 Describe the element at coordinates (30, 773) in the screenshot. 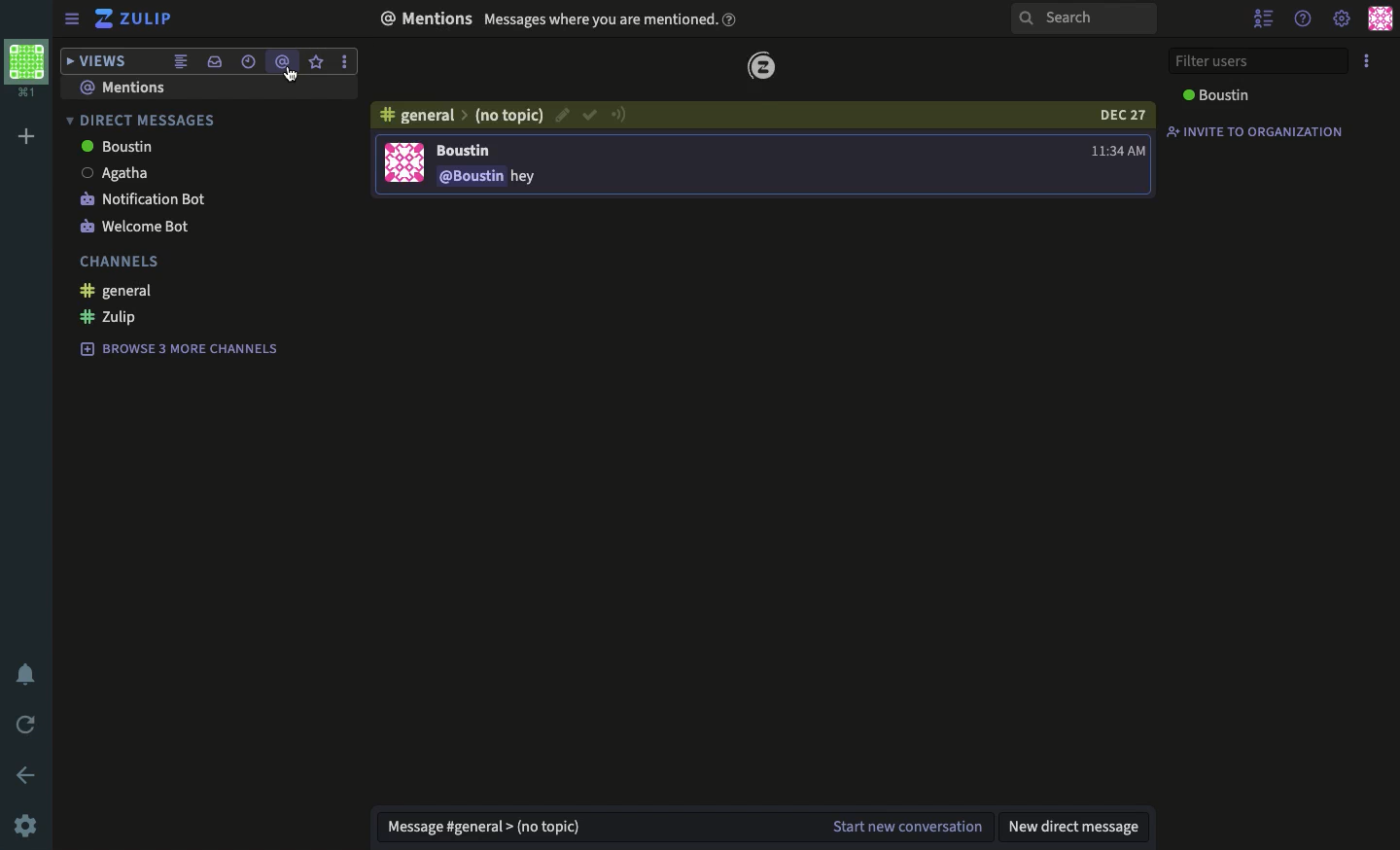

I see `back` at that location.